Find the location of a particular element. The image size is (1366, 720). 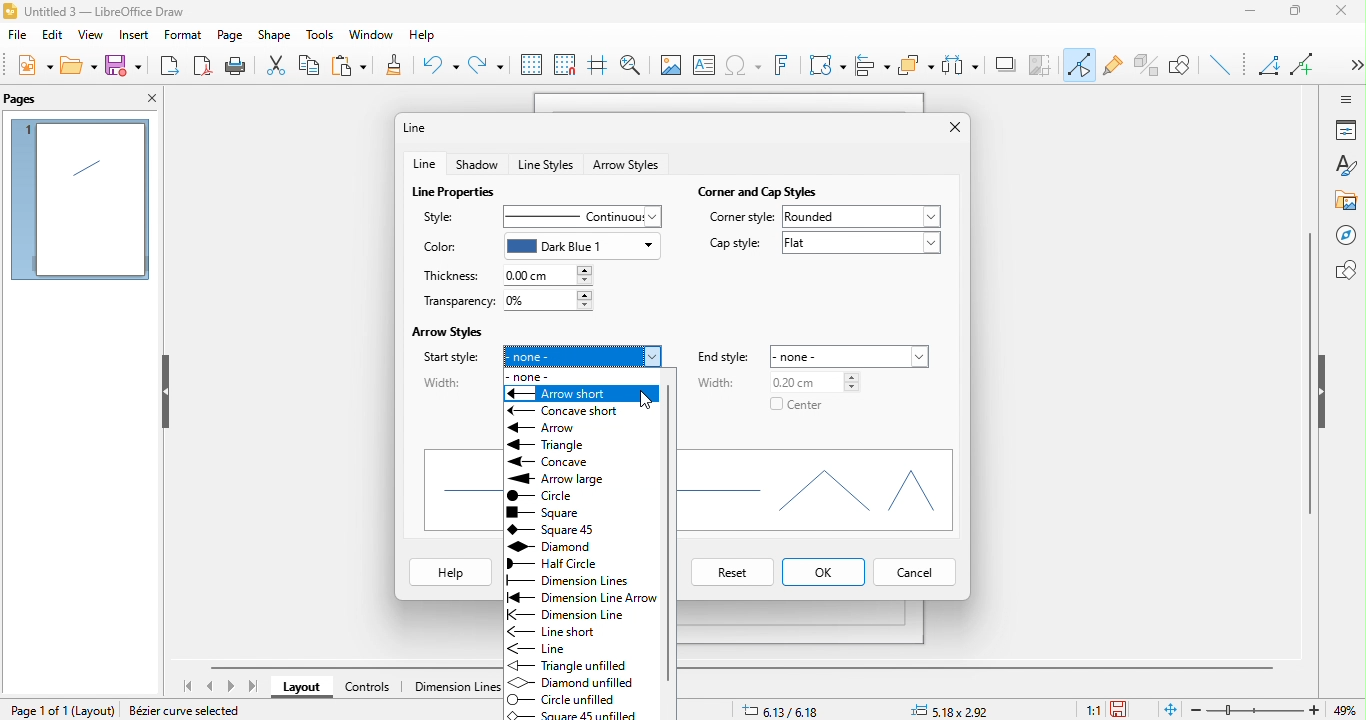

dimension line is located at coordinates (579, 612).